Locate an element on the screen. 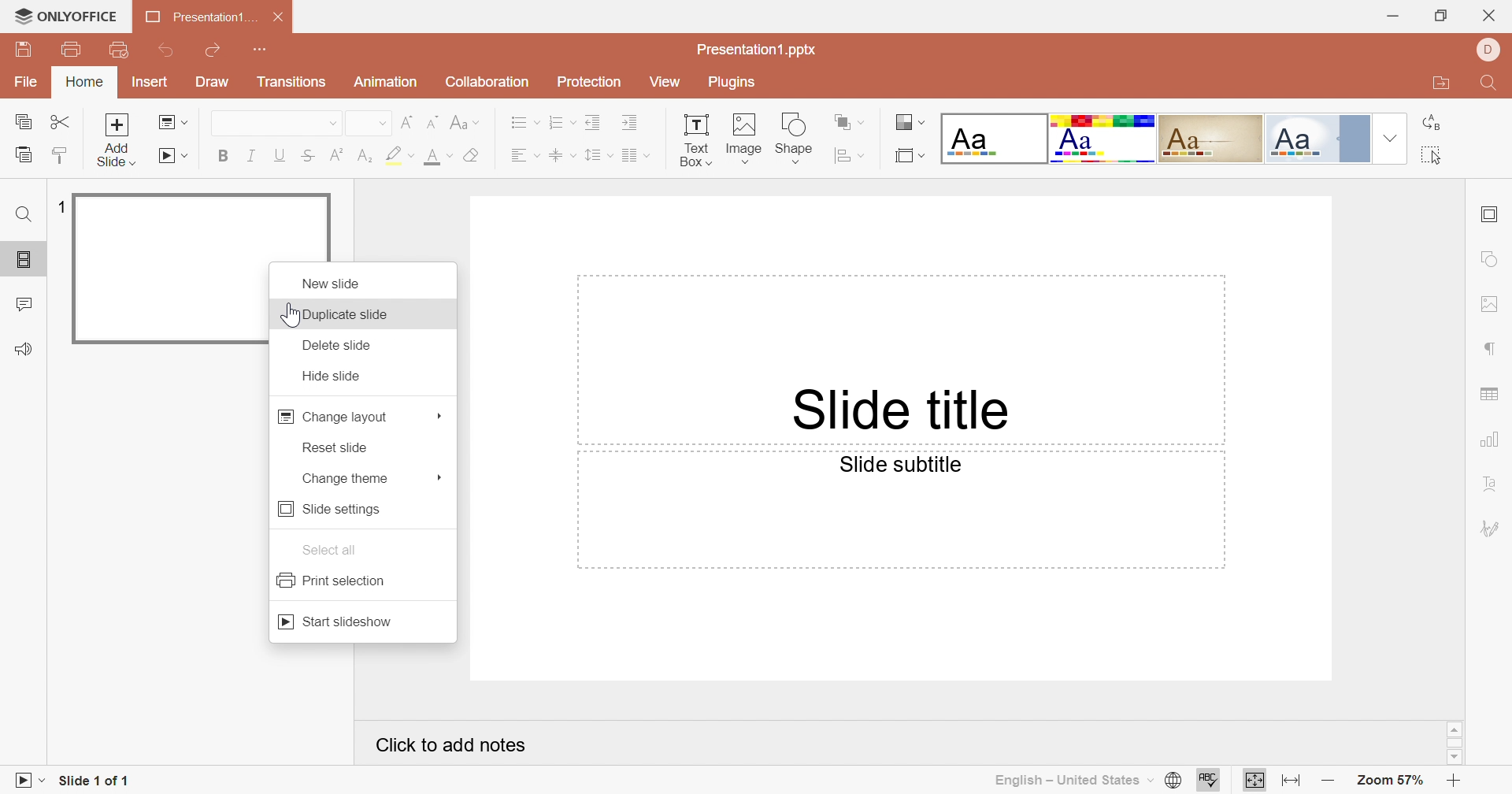 The width and height of the screenshot is (1512, 794). Increment Font Size is located at coordinates (407, 121).